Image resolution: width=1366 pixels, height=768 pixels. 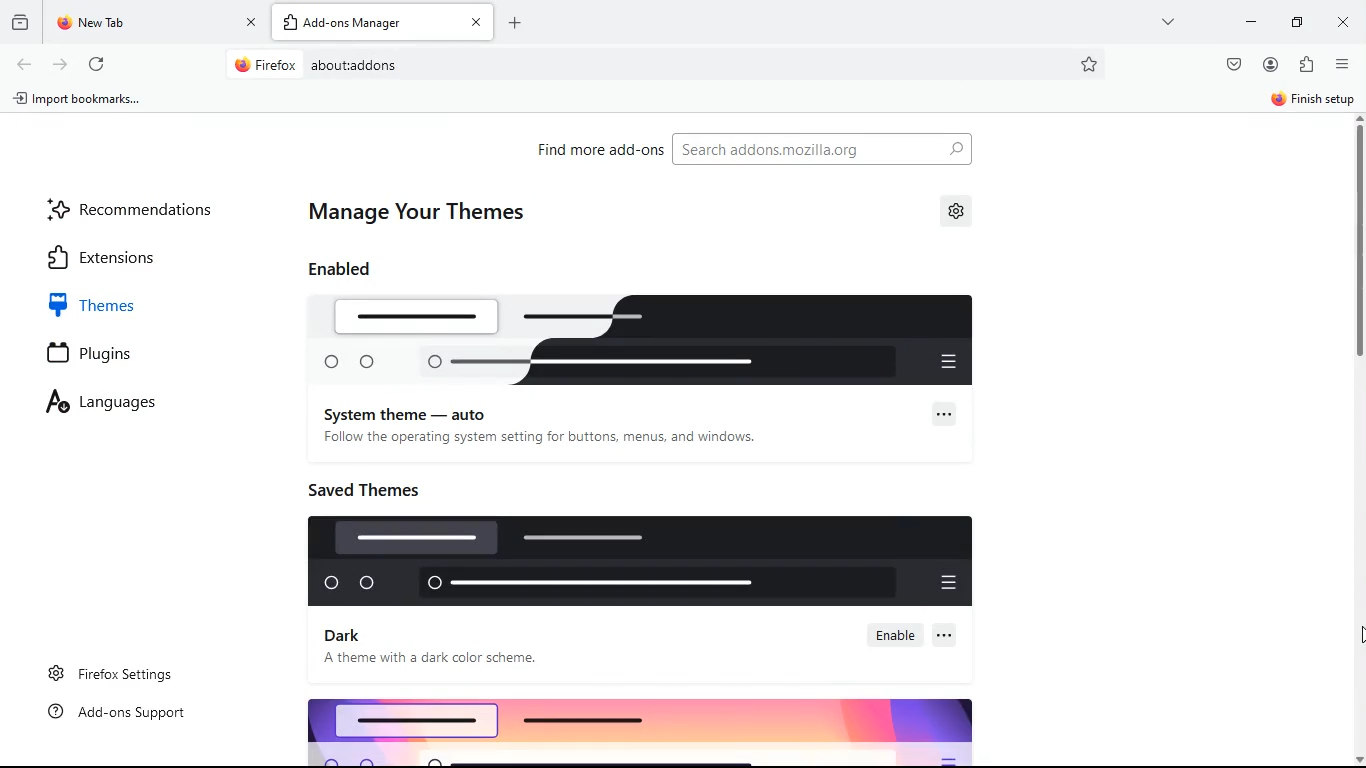 What do you see at coordinates (383, 22) in the screenshot?
I see `add-ons tab` at bounding box center [383, 22].